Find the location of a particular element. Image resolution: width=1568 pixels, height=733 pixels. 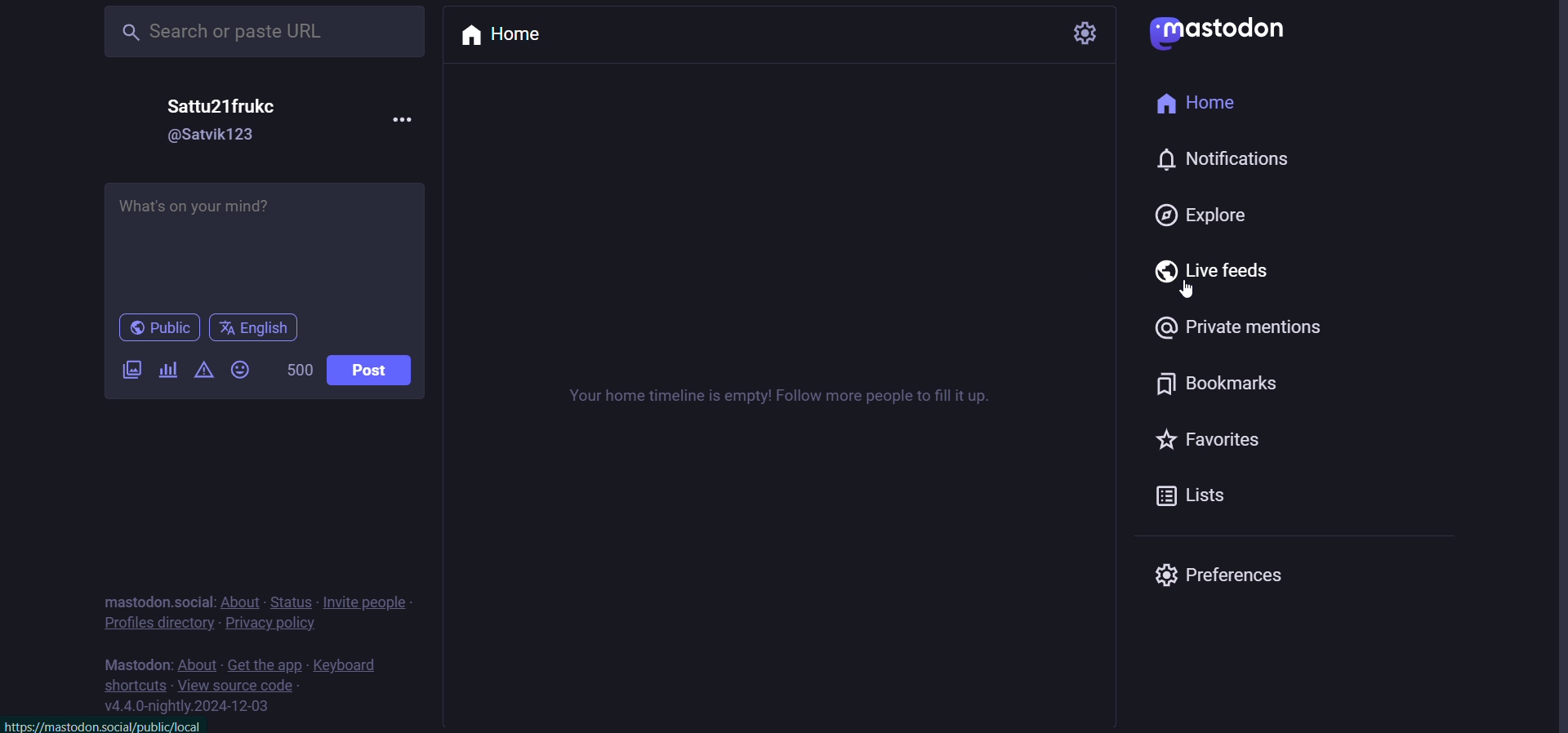

poll is located at coordinates (167, 371).